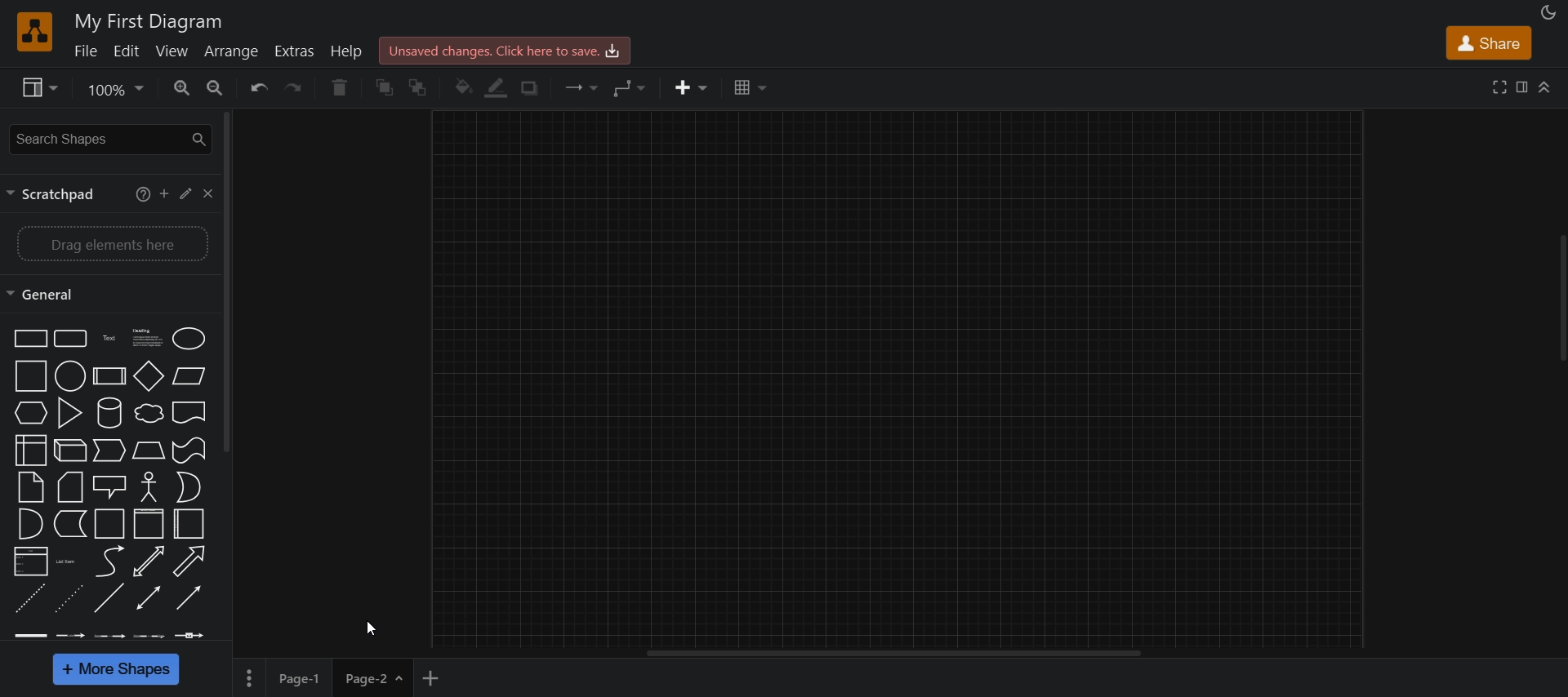  Describe the element at coordinates (214, 193) in the screenshot. I see `close` at that location.